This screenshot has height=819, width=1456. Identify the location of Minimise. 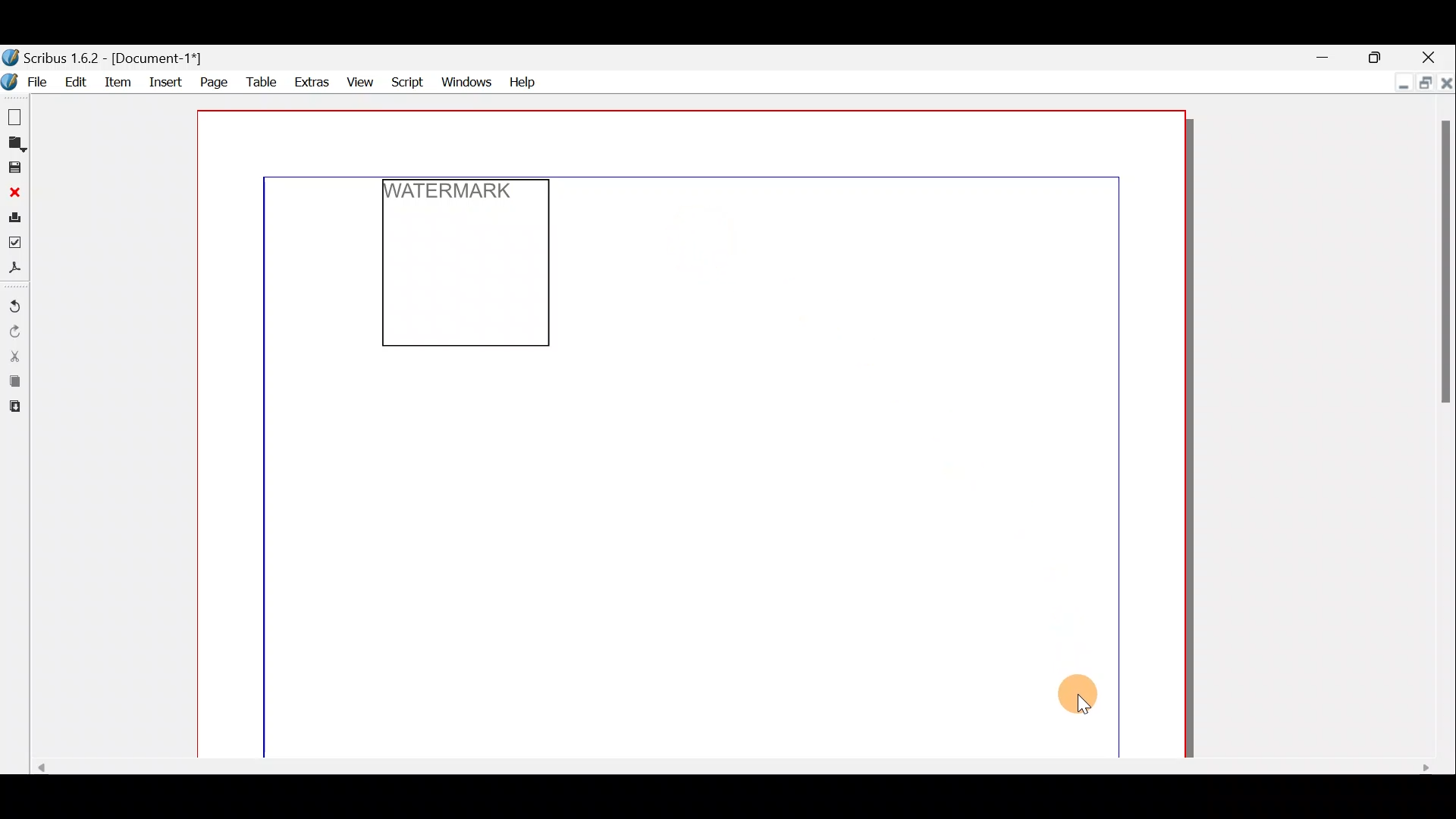
(1399, 83).